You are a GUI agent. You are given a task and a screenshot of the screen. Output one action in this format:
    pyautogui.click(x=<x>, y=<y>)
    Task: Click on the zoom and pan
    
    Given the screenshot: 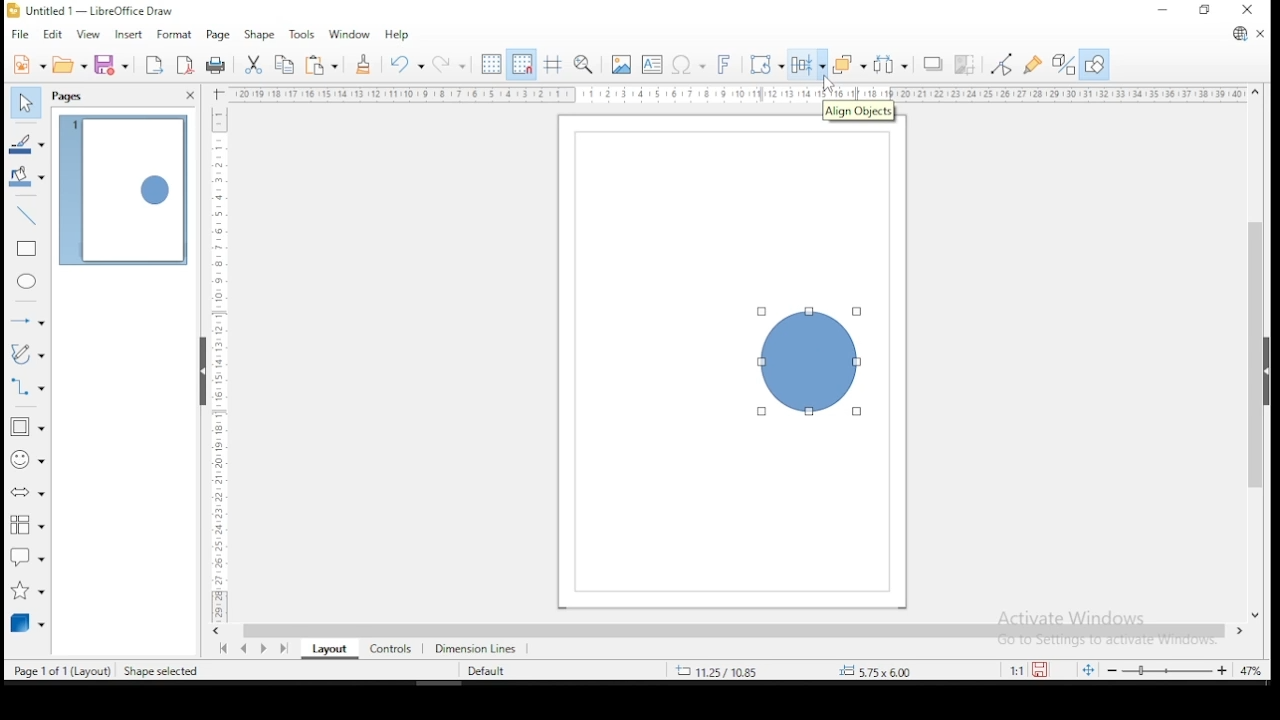 What is the action you would take?
    pyautogui.click(x=584, y=64)
    